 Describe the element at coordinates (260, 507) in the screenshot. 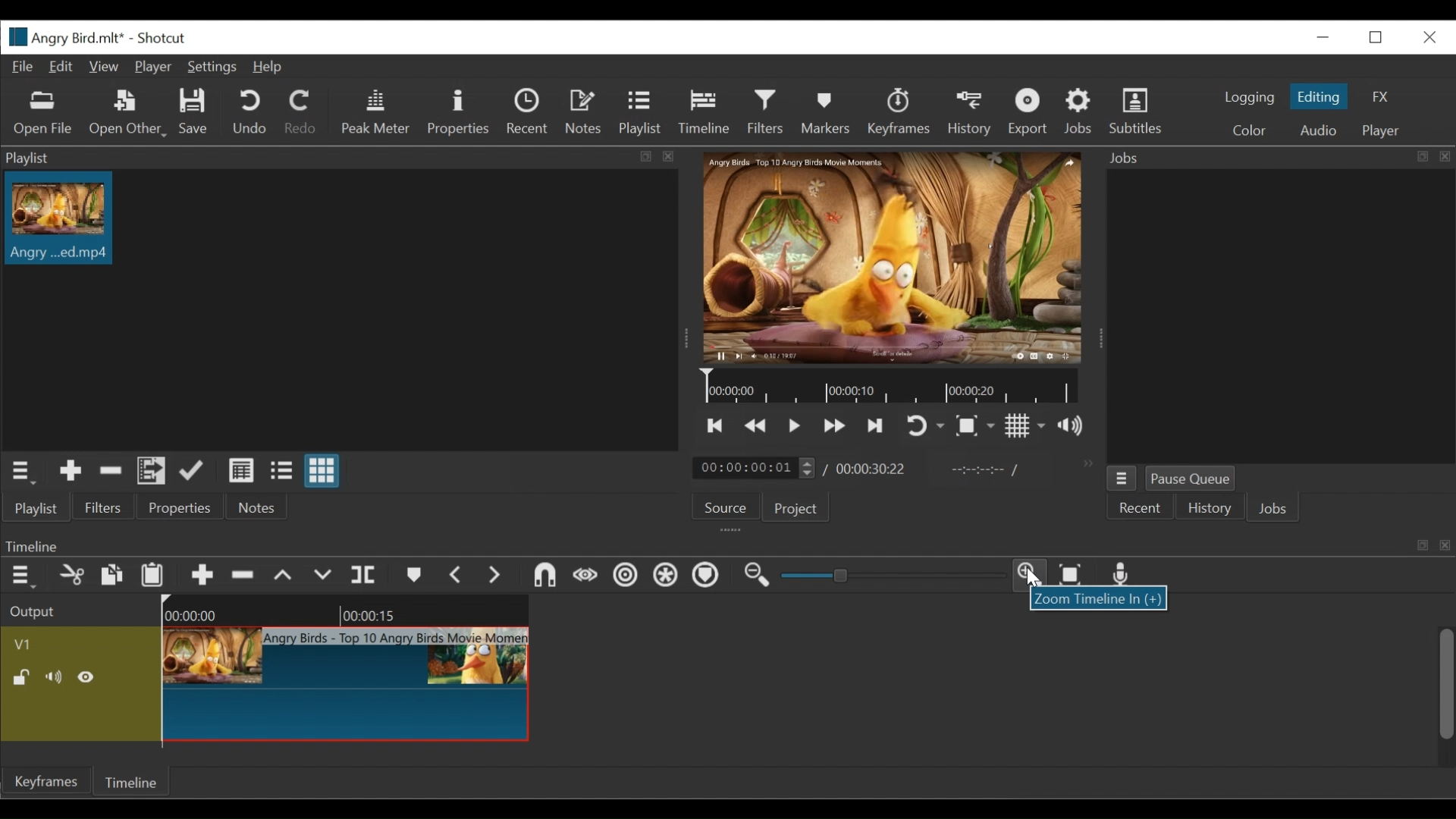

I see `Notes` at that location.